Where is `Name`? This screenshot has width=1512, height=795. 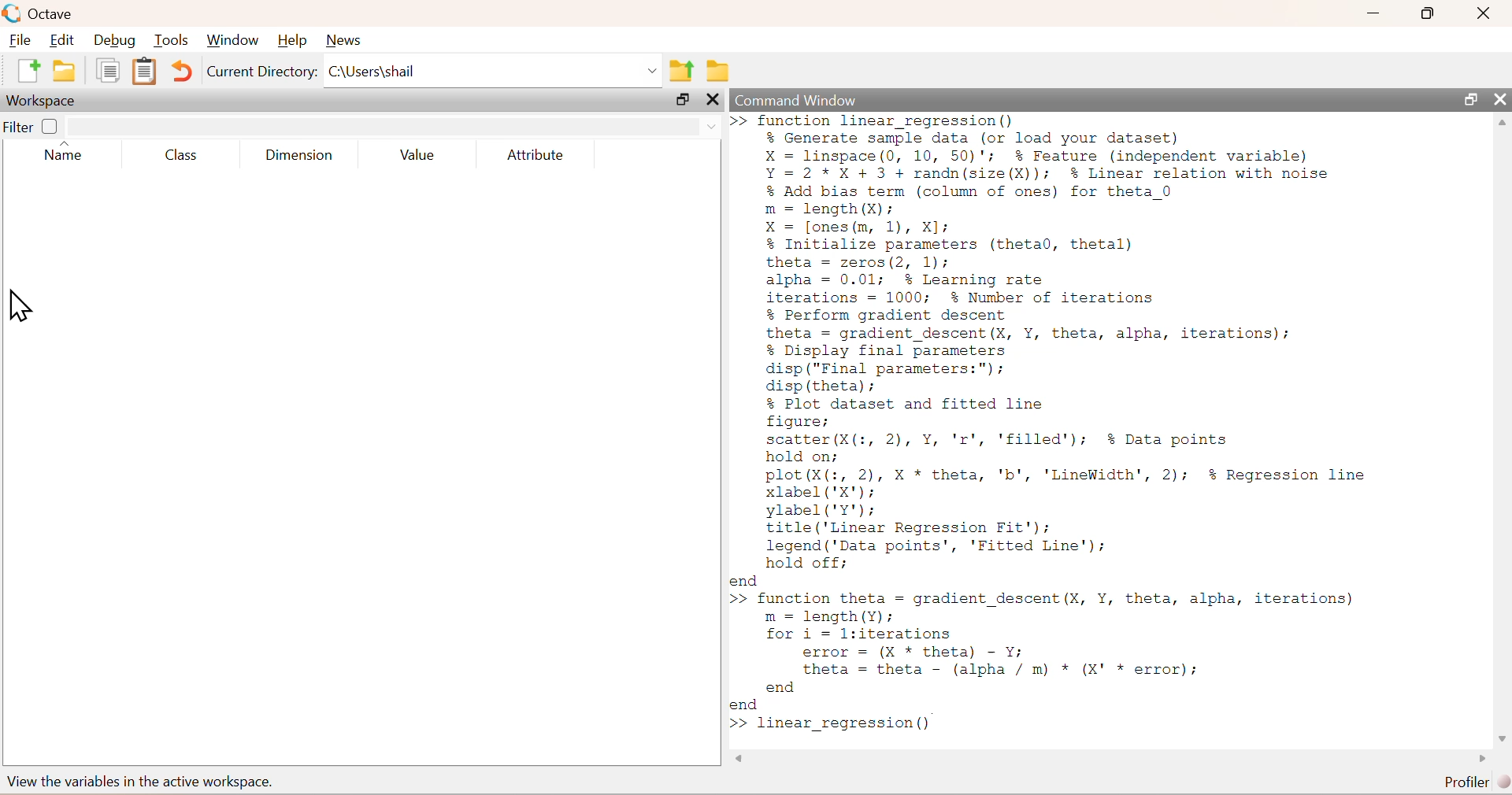
Name is located at coordinates (65, 153).